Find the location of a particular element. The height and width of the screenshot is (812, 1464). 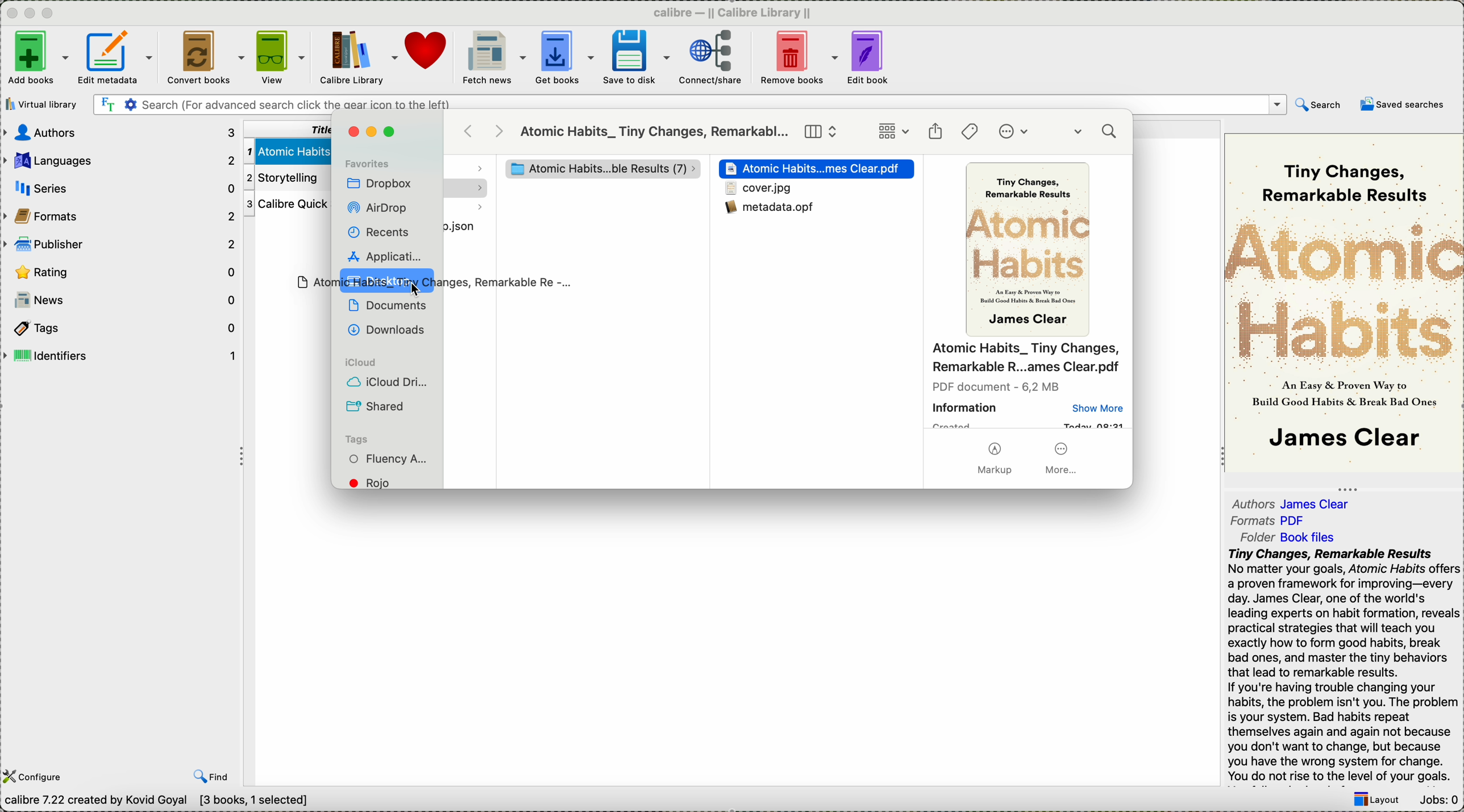

virtual library is located at coordinates (44, 104).